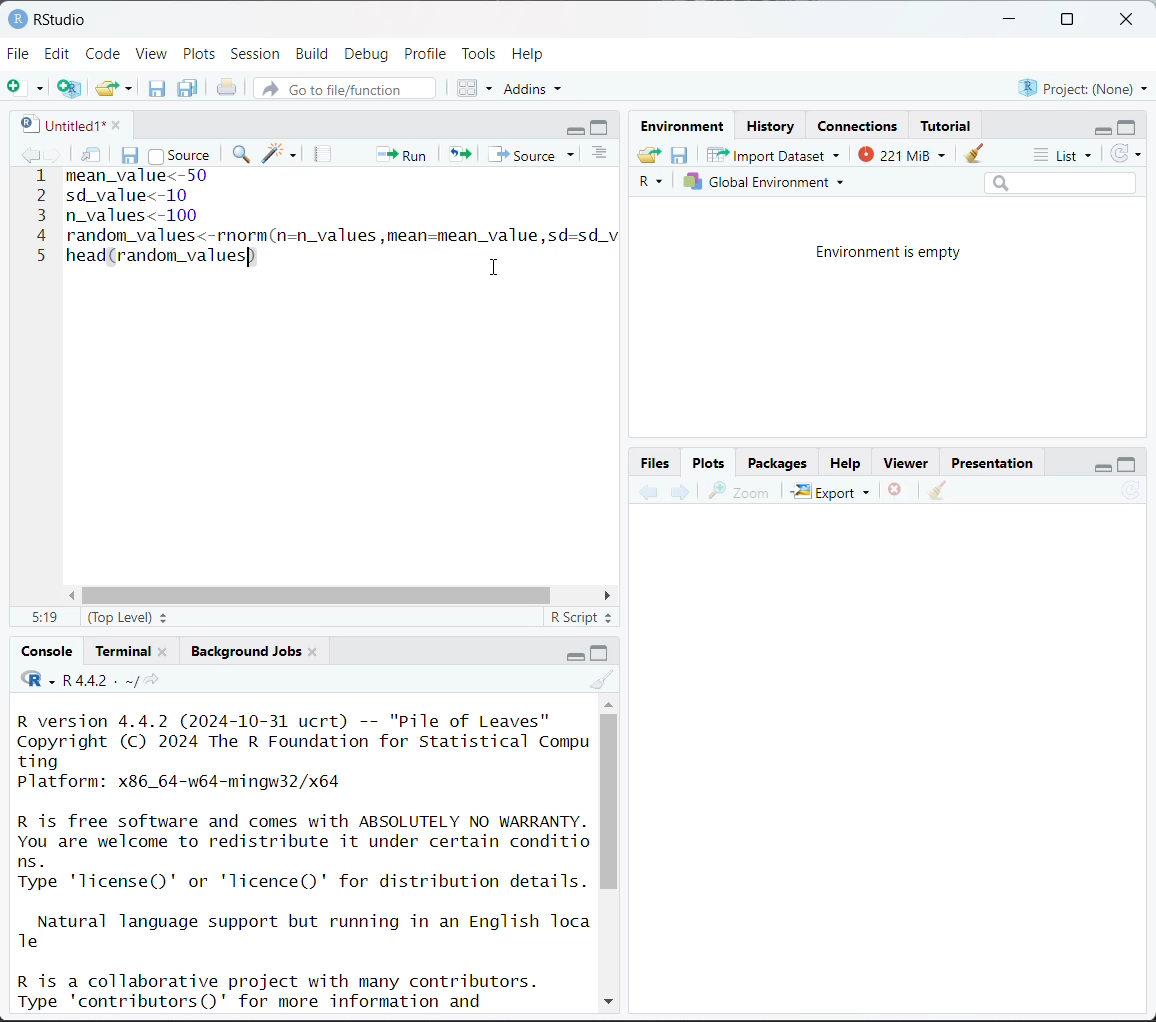  I want to click on vertical scroll bar, so click(609, 801).